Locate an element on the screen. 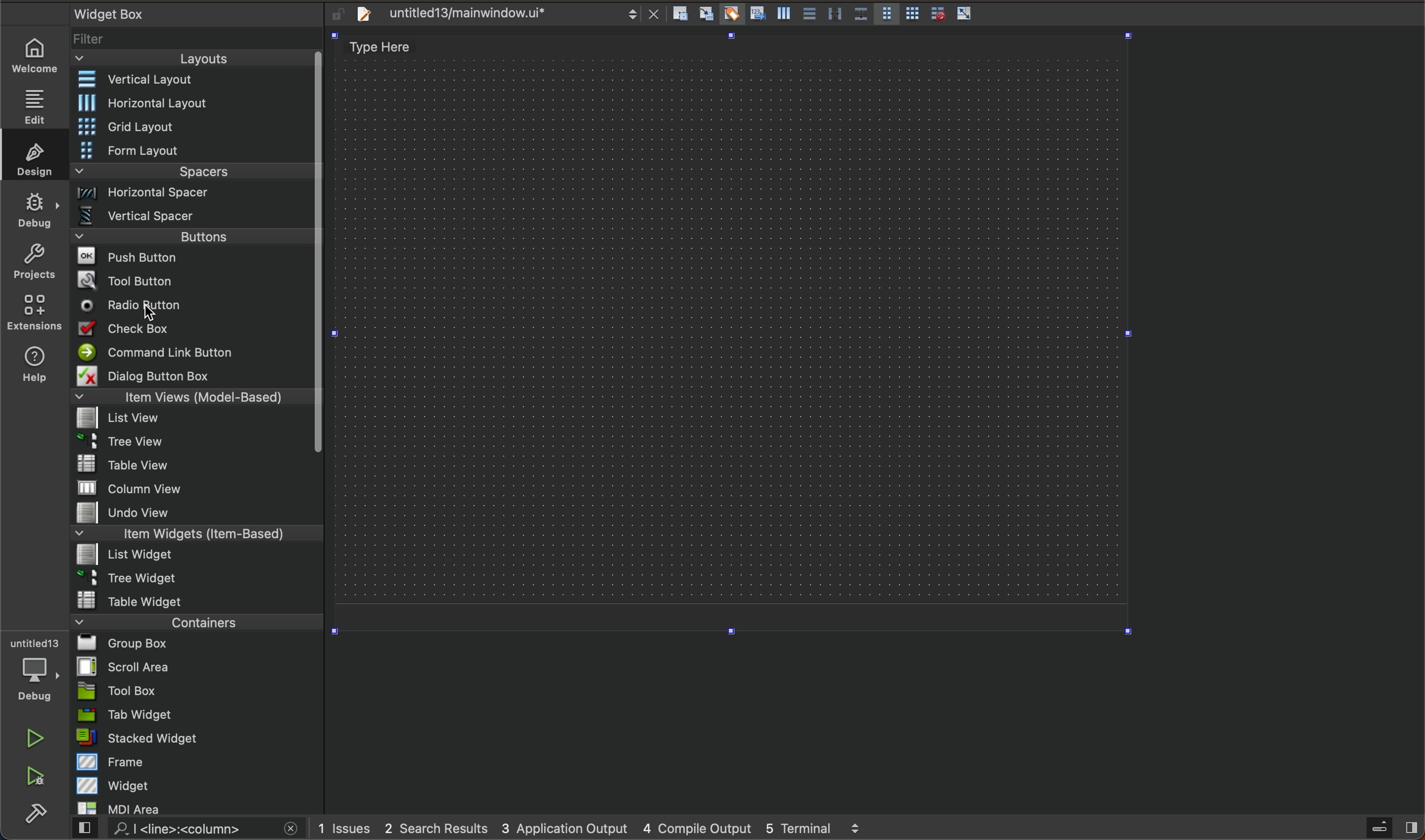 The image size is (1425, 840). logs is located at coordinates (607, 828).